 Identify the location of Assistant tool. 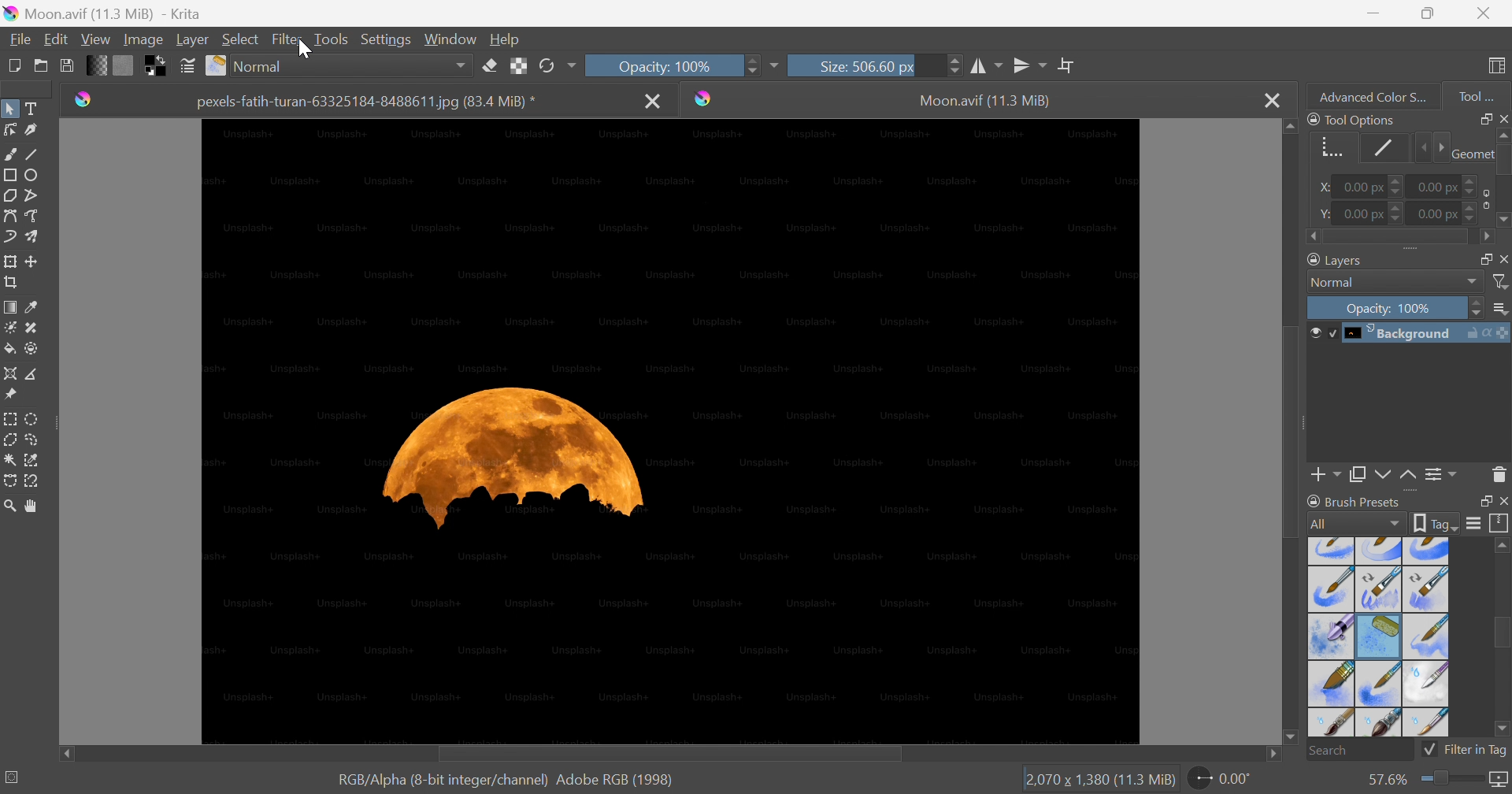
(9, 373).